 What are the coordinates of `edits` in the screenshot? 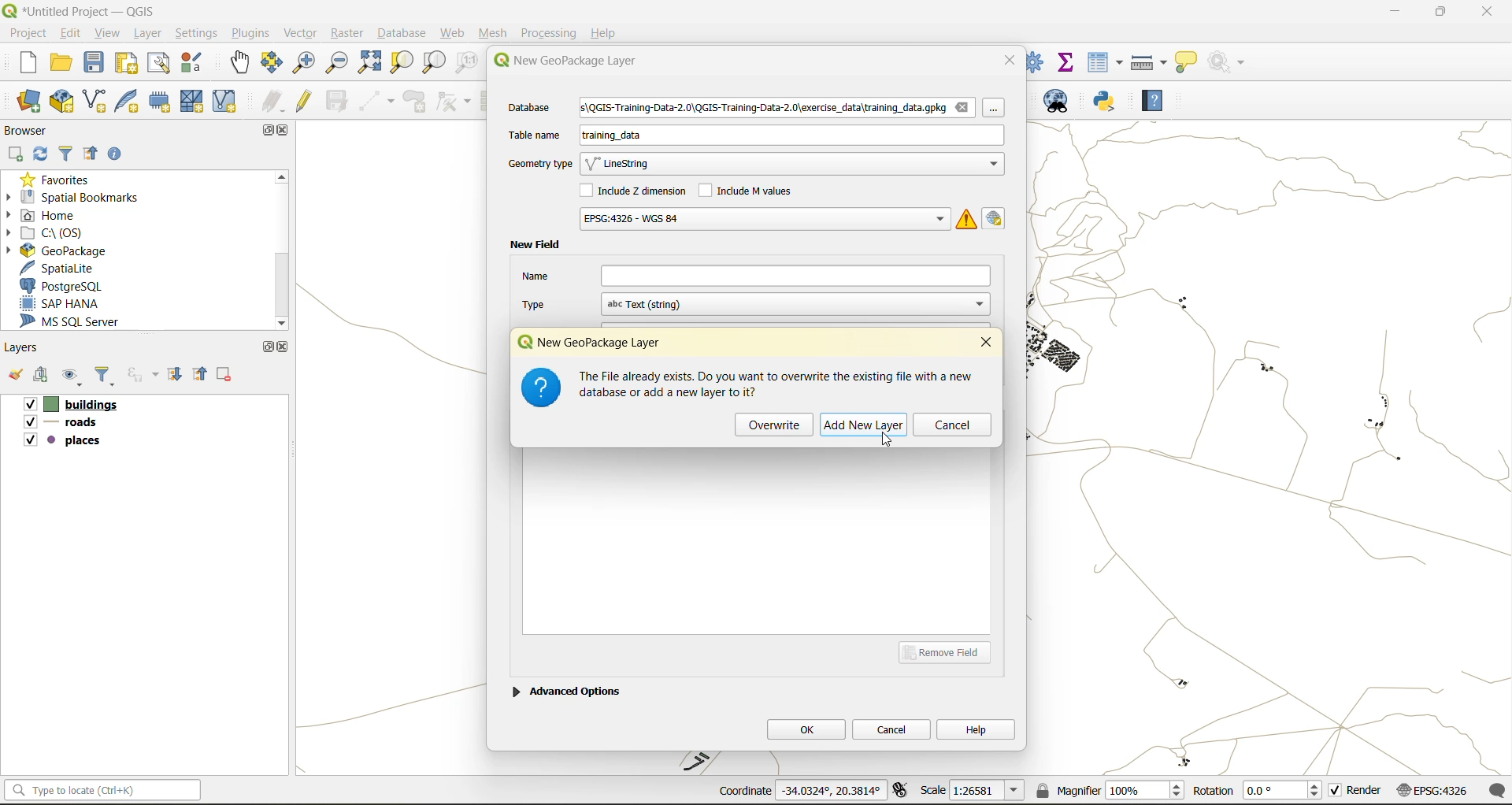 It's located at (273, 102).